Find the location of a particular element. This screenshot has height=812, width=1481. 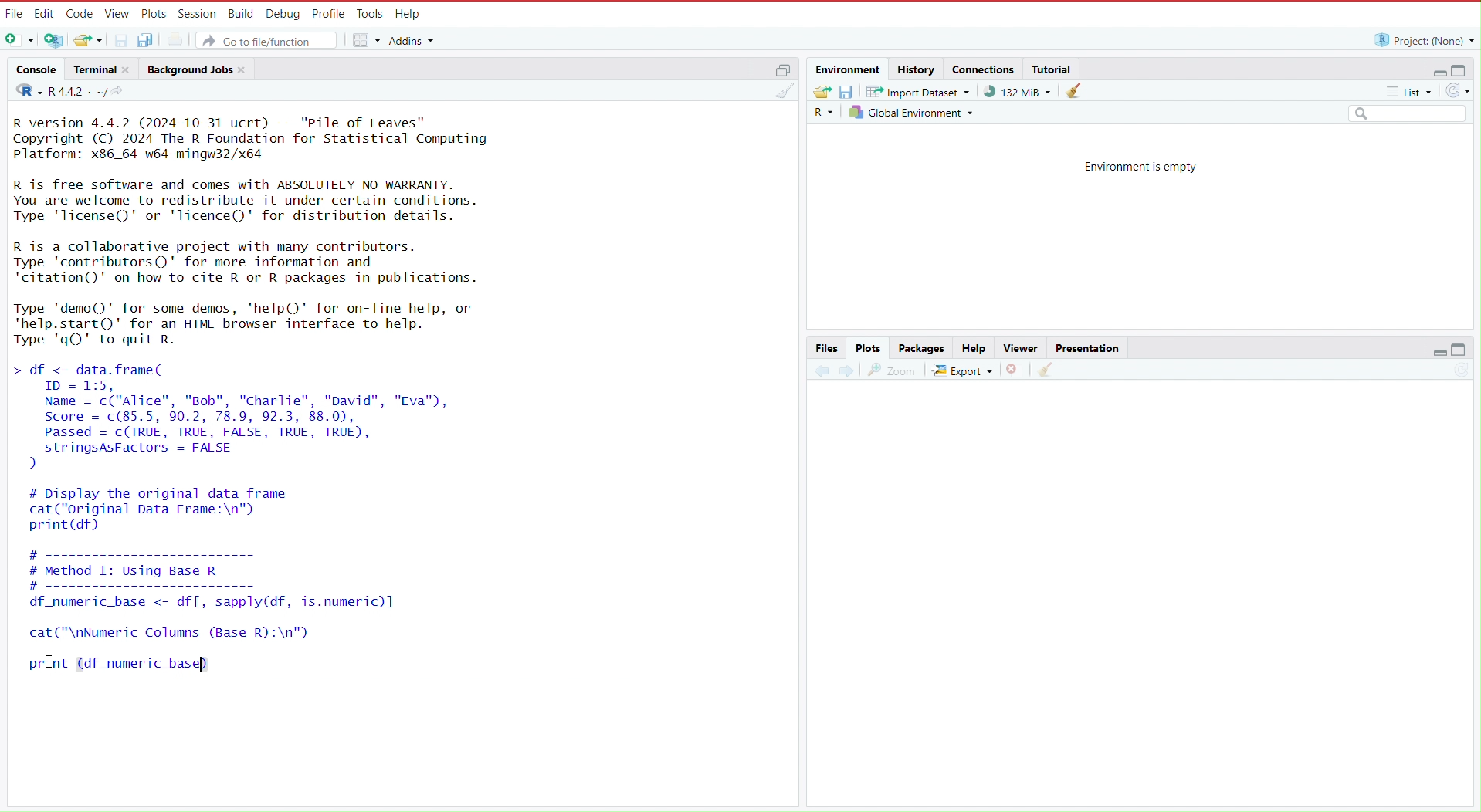

Plots is located at coordinates (156, 13).